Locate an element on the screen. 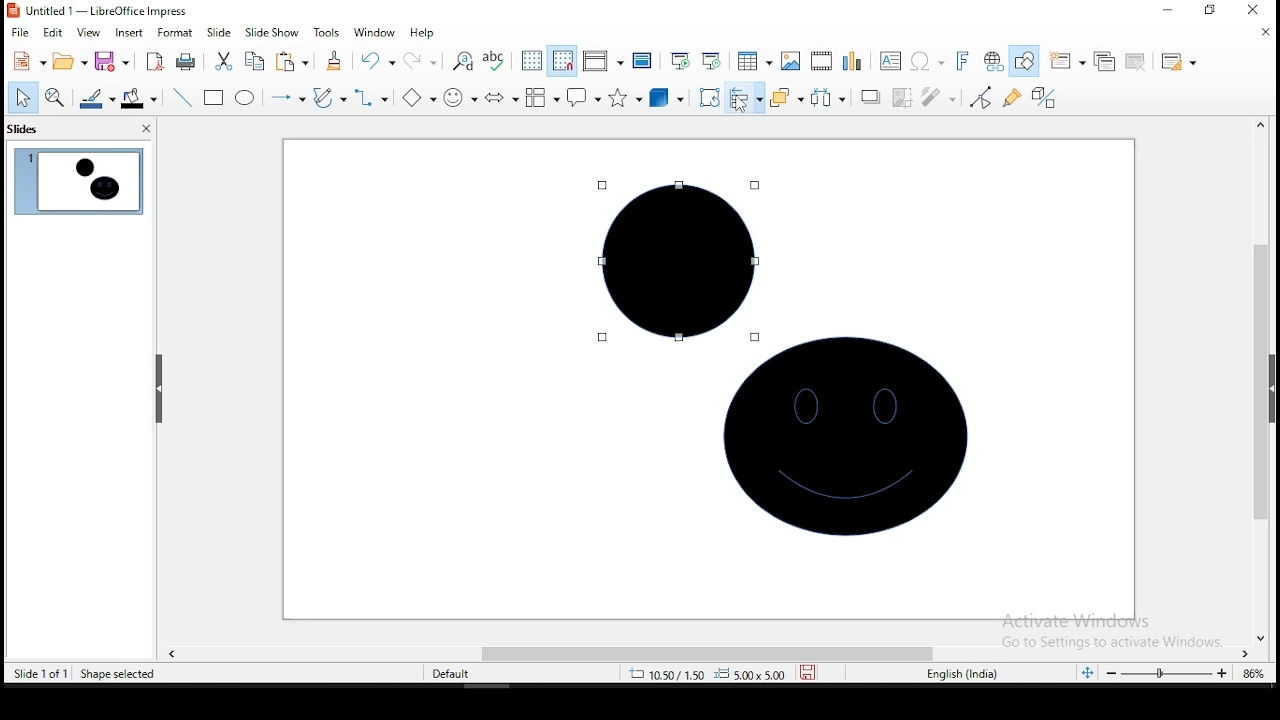 This screenshot has height=720, width=1280. english (india) is located at coordinates (967, 674).